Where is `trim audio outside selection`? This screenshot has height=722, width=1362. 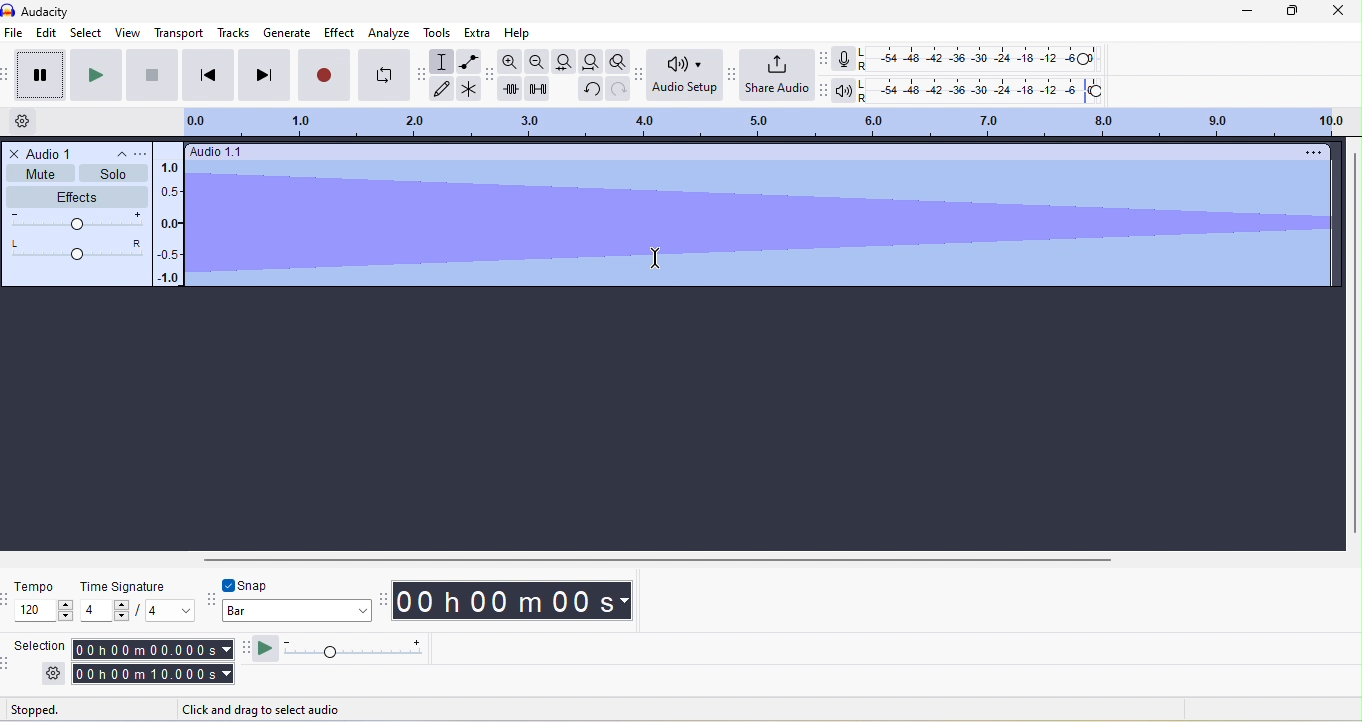
trim audio outside selection is located at coordinates (510, 88).